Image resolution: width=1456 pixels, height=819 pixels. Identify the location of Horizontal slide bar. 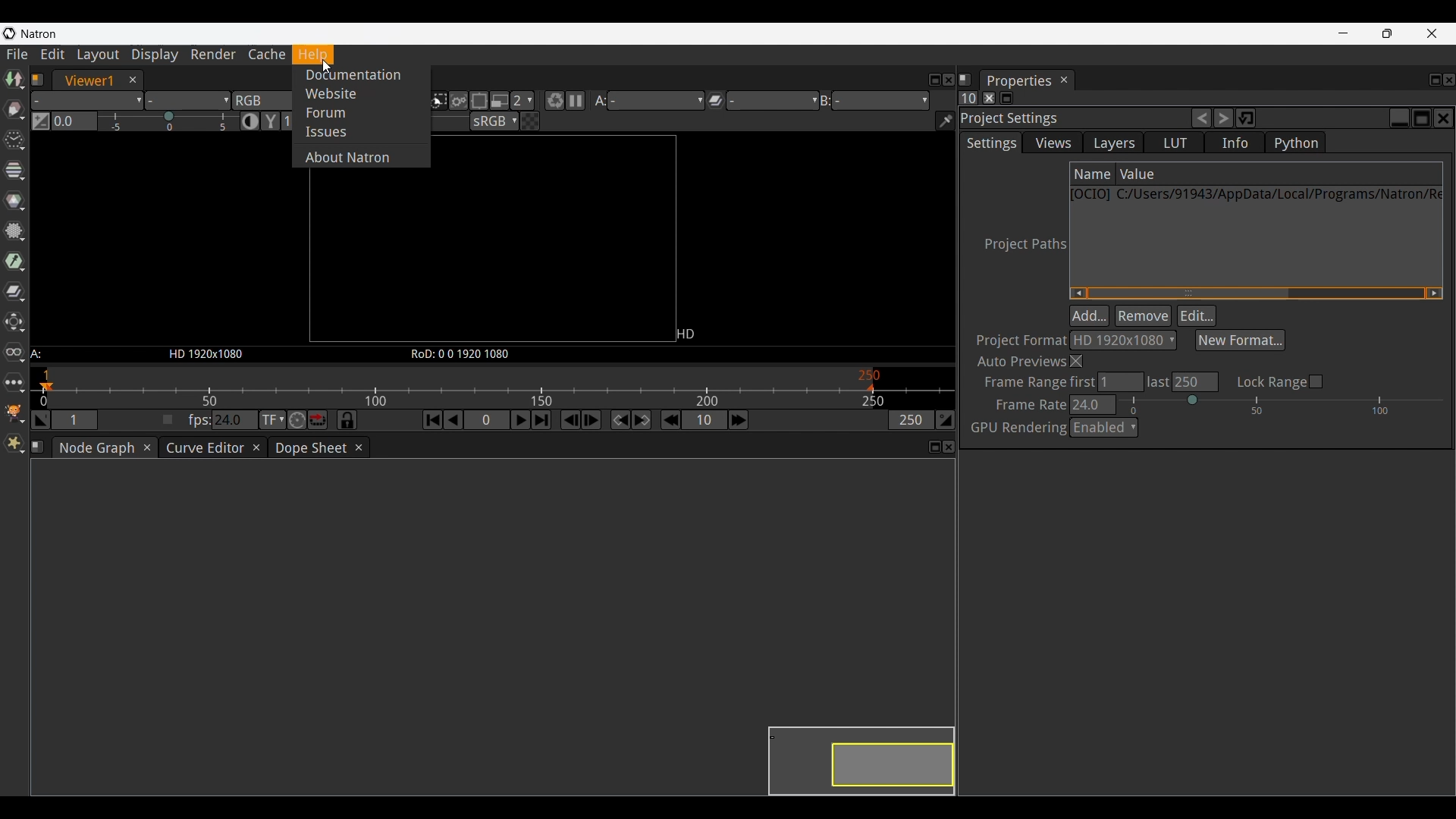
(1189, 293).